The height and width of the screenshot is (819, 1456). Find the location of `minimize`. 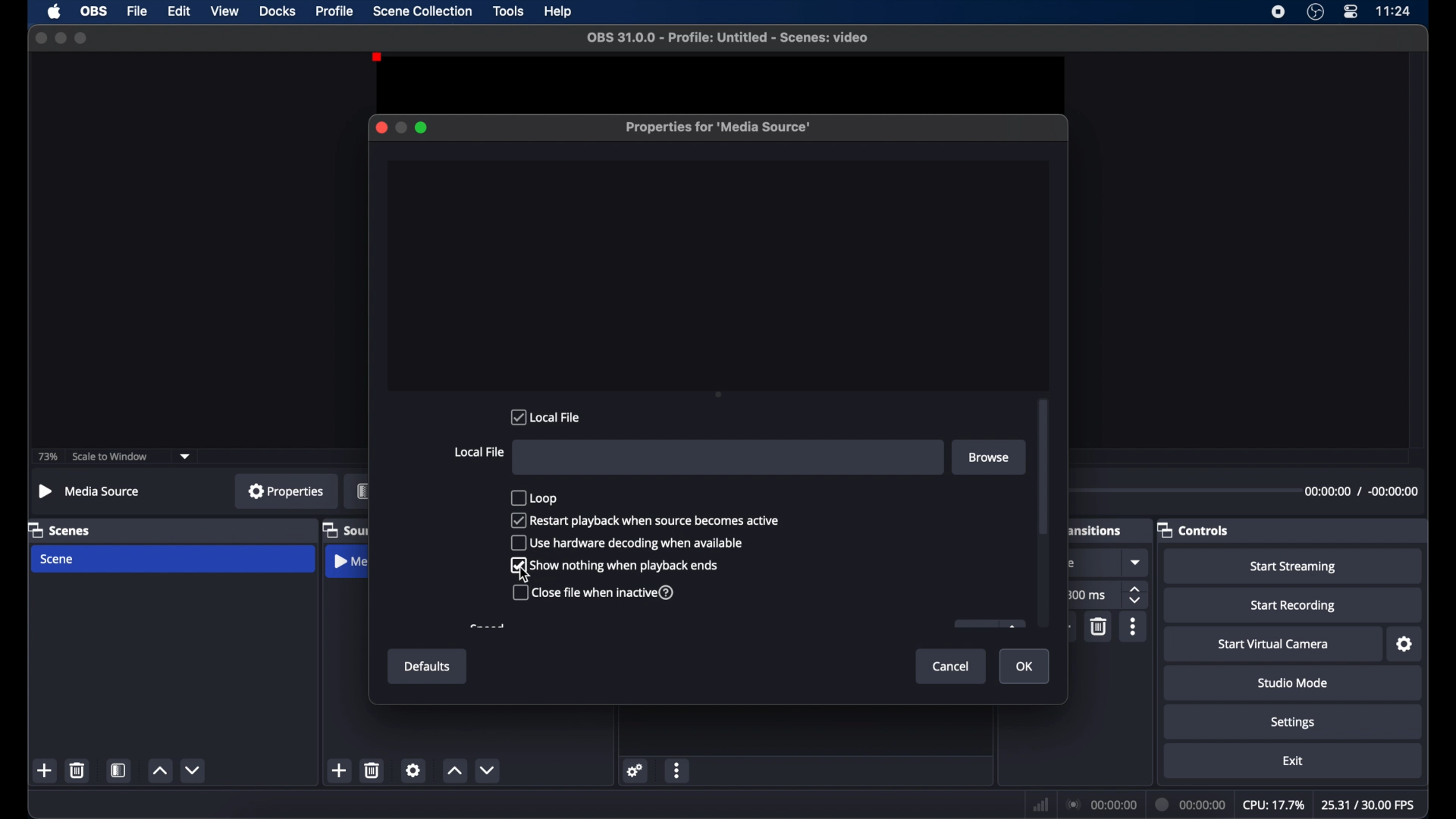

minimize is located at coordinates (400, 127).